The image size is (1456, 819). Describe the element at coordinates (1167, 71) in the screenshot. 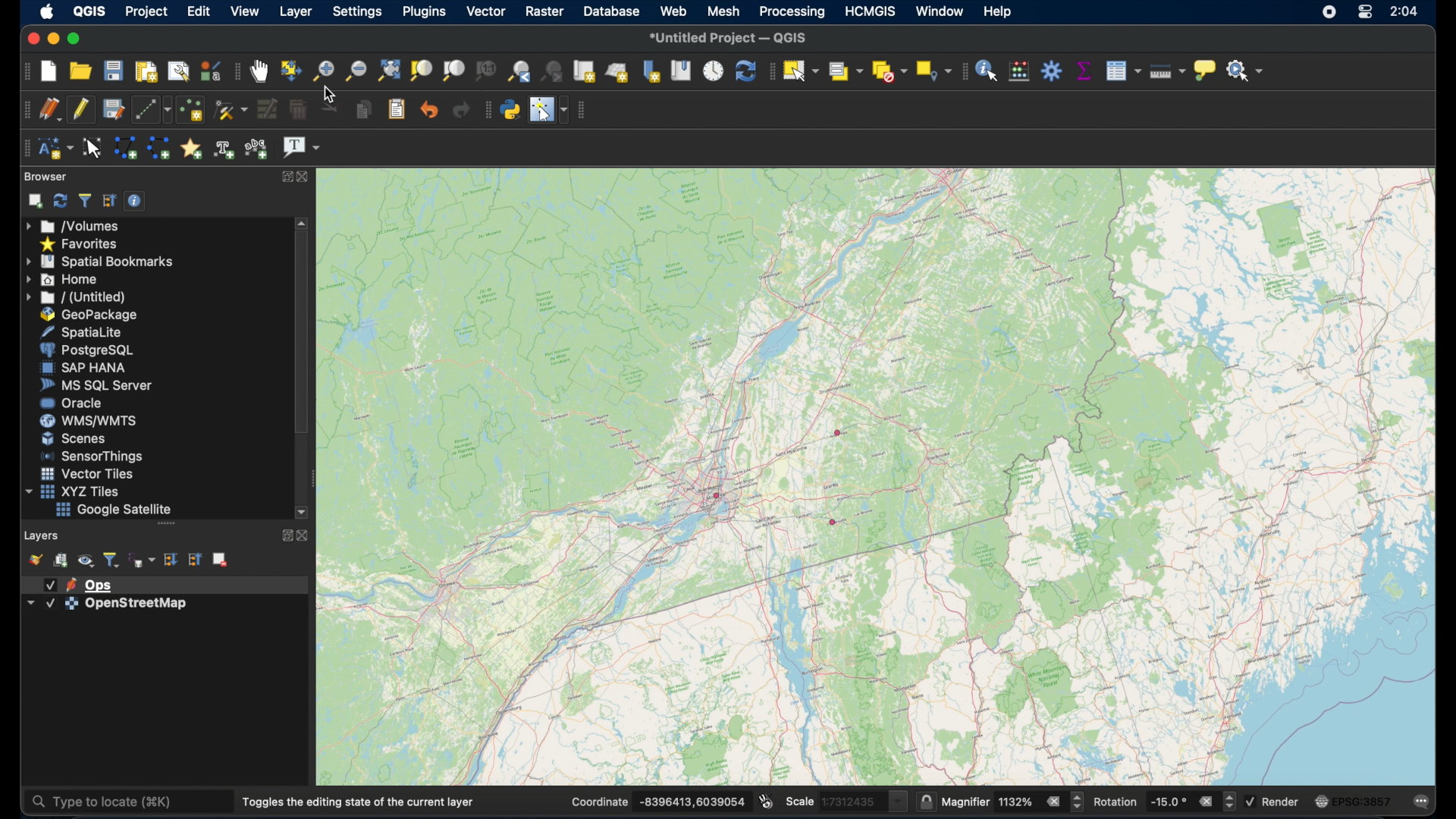

I see `measure line` at that location.